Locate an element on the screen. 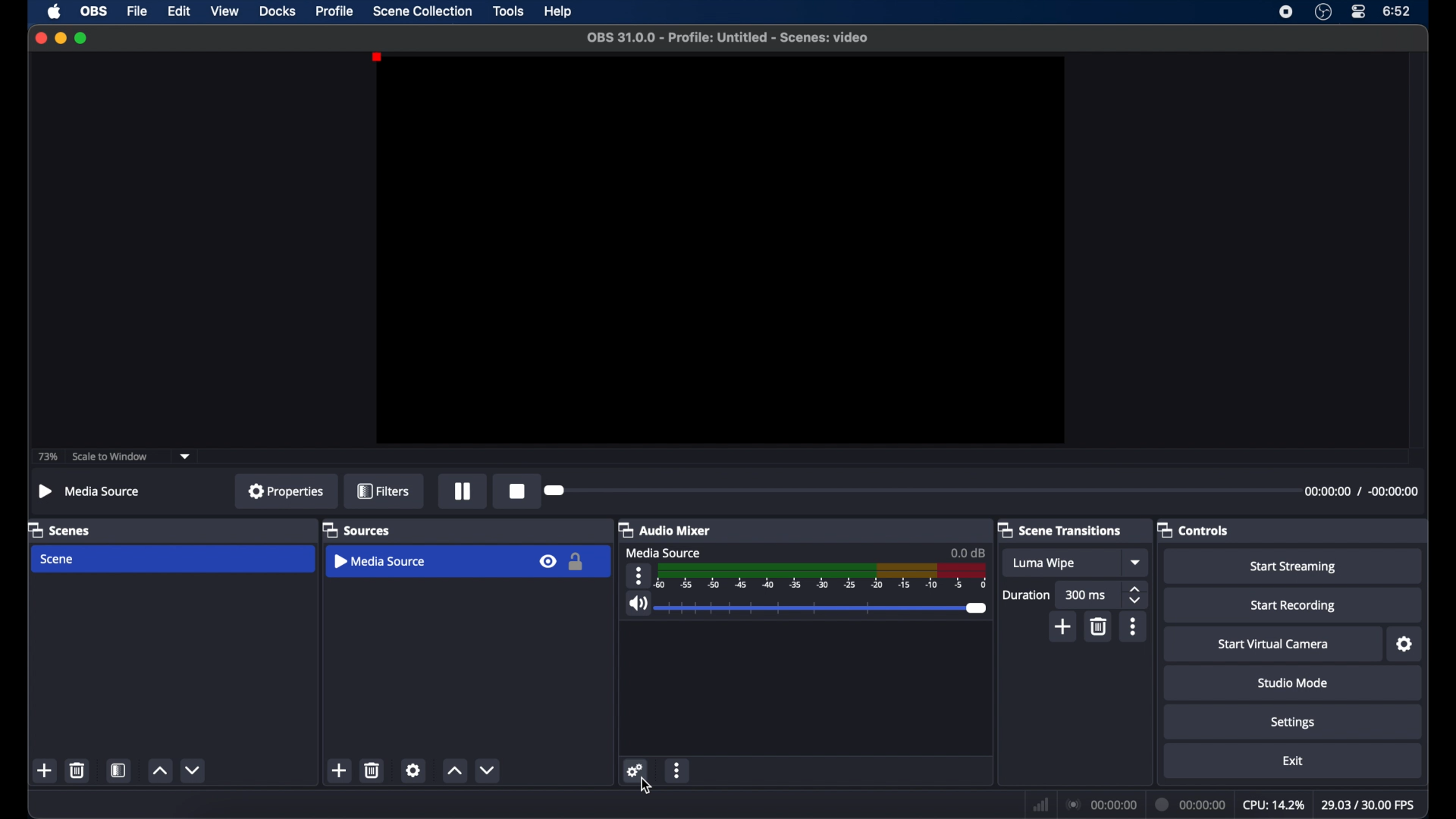 The image size is (1456, 819). start virtual camera is located at coordinates (1274, 645).